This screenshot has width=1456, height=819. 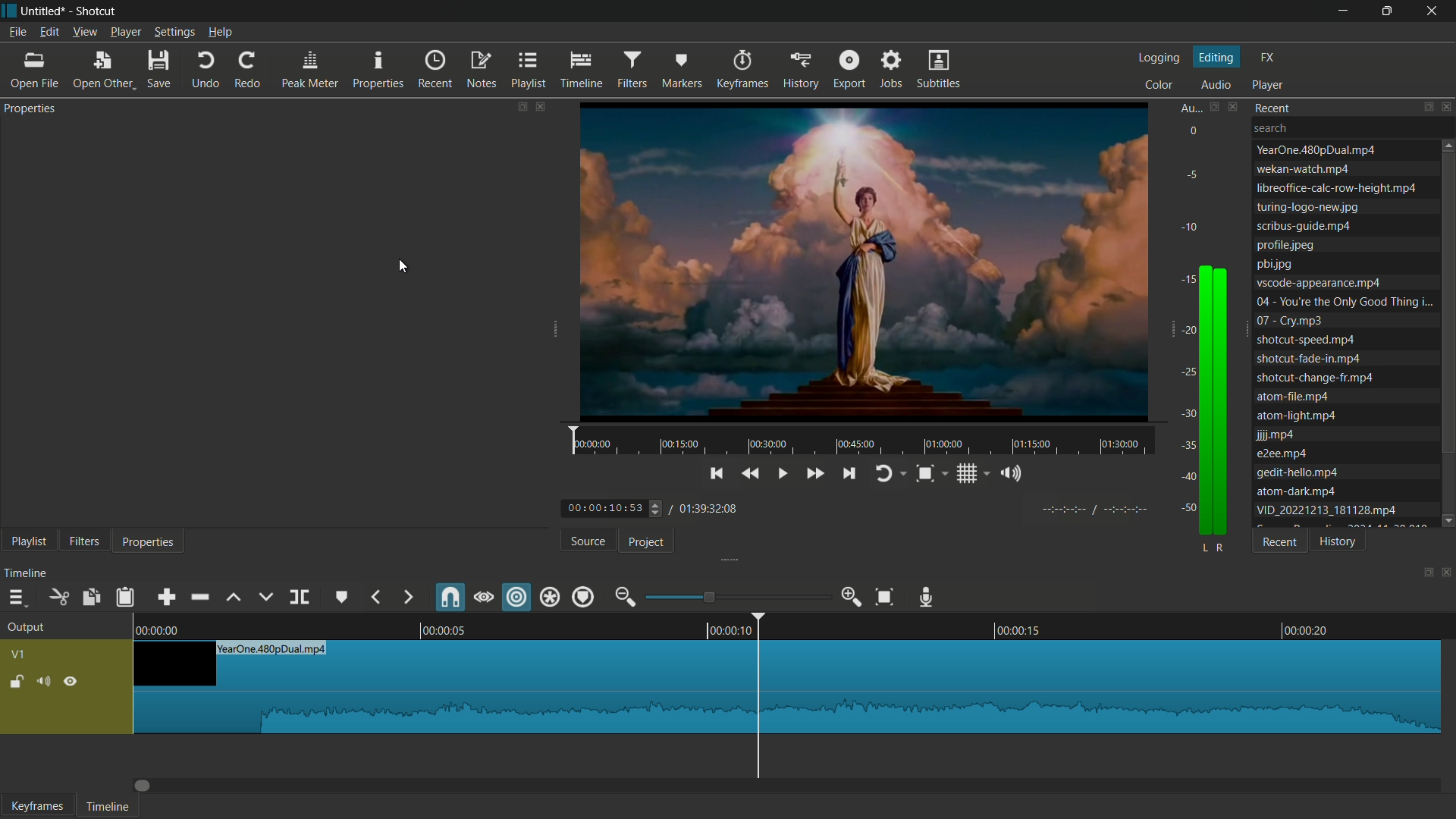 I want to click on video in timeline, so click(x=787, y=687).